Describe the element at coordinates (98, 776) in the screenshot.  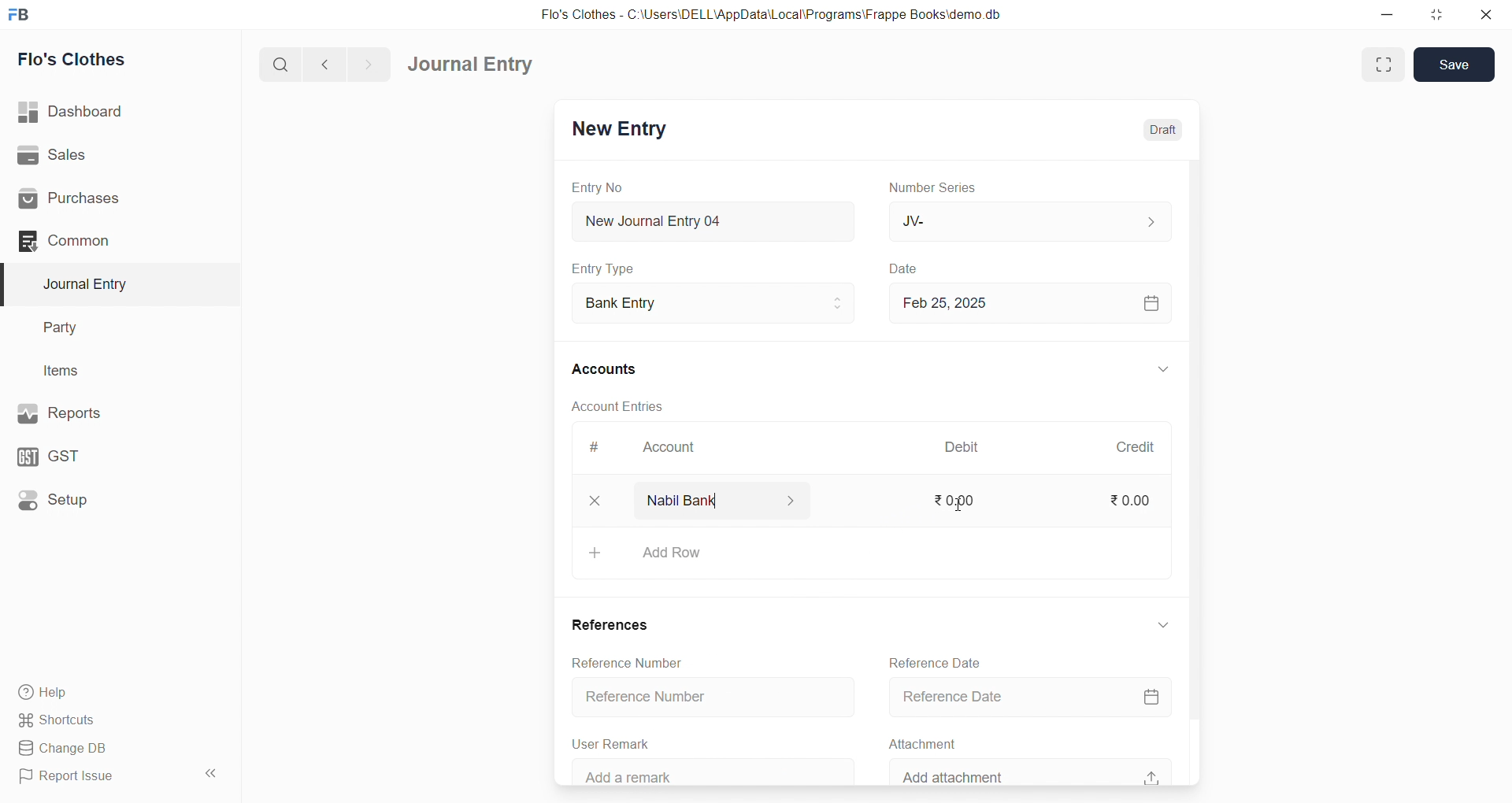
I see `Report Issue` at that location.